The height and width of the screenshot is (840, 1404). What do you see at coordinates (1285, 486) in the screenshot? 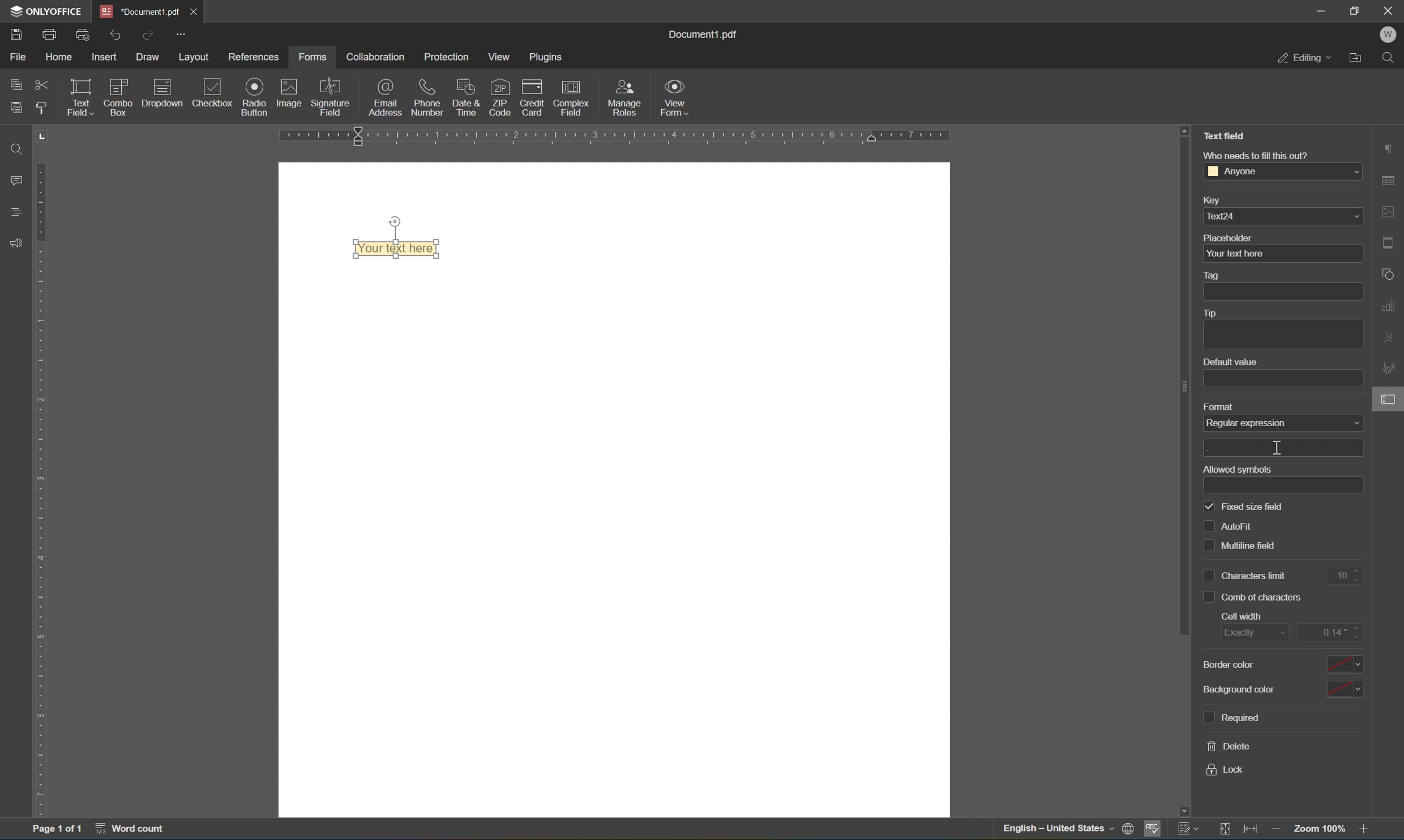
I see `add allowed symbols` at bounding box center [1285, 486].